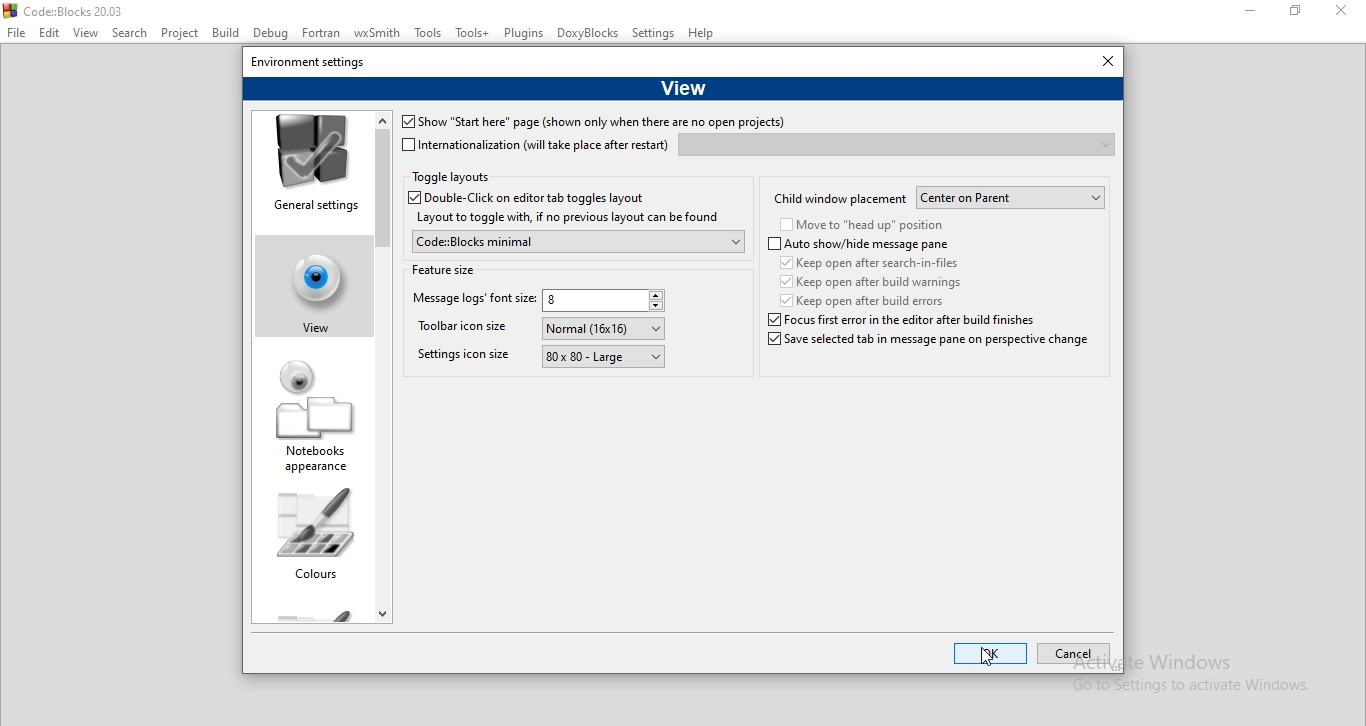  Describe the element at coordinates (862, 226) in the screenshot. I see `Move to "head up" position ` at that location.